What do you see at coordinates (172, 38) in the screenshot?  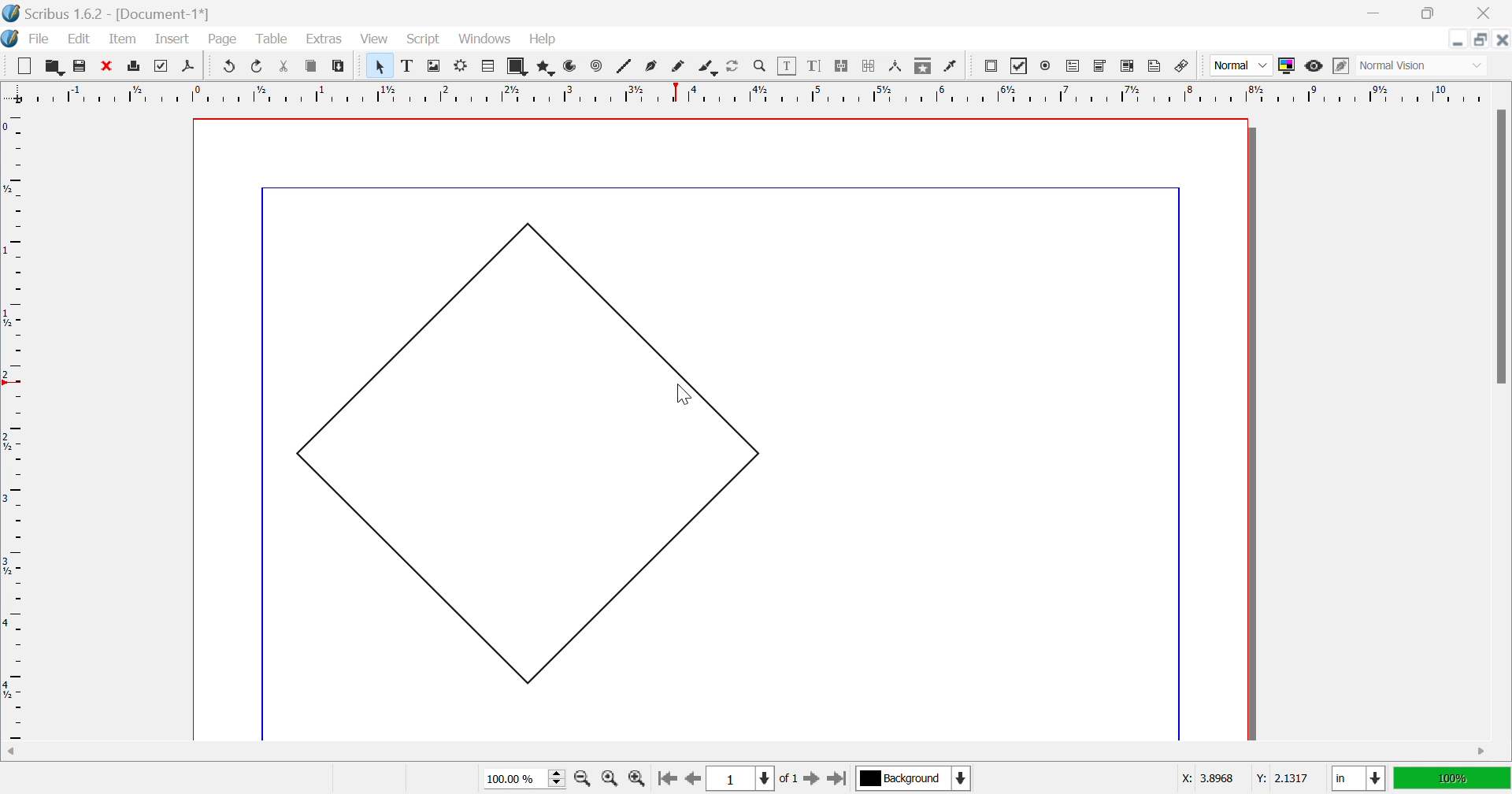 I see `Insert` at bounding box center [172, 38].